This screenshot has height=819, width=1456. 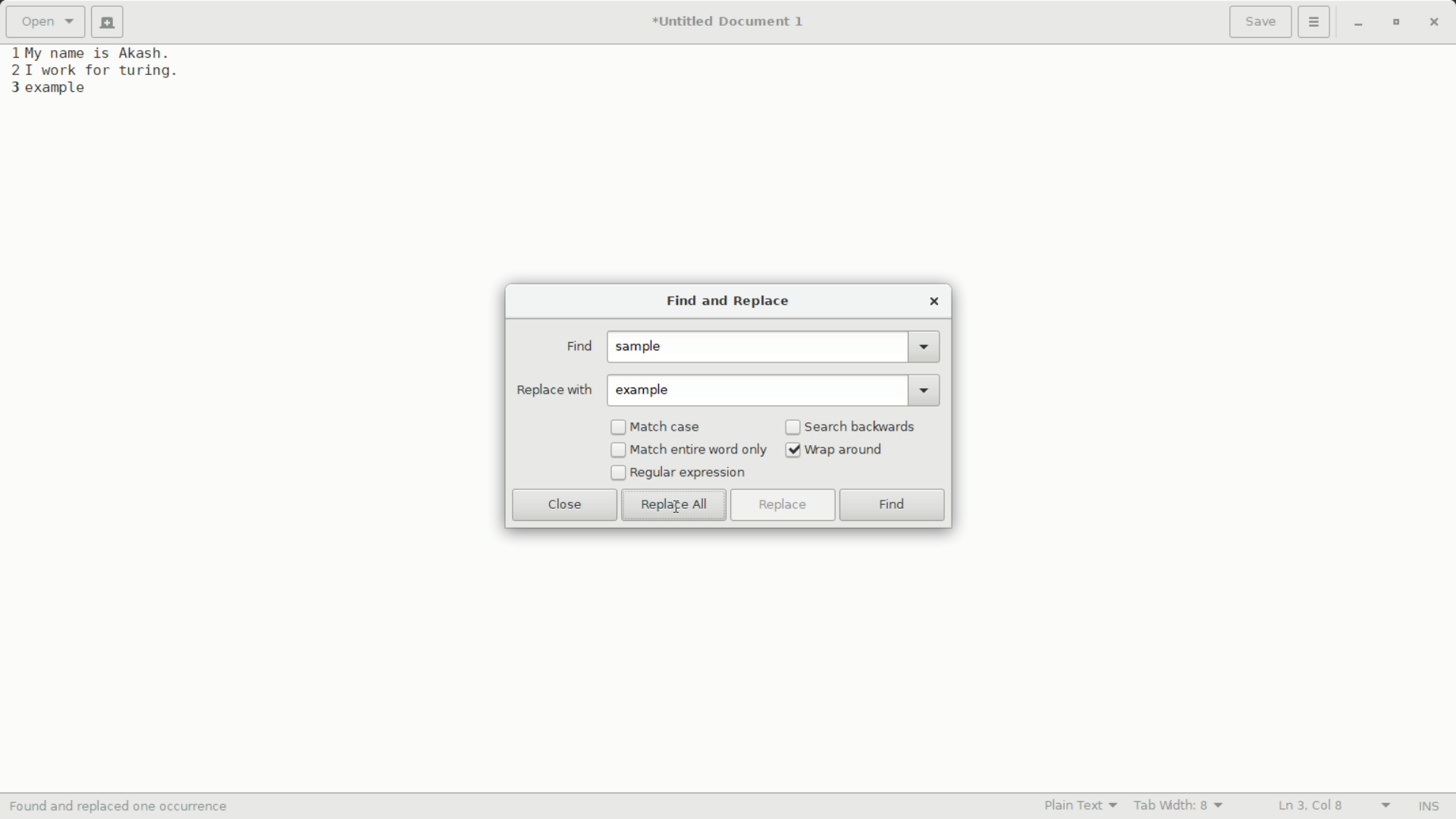 I want to click on new document, so click(x=112, y=22).